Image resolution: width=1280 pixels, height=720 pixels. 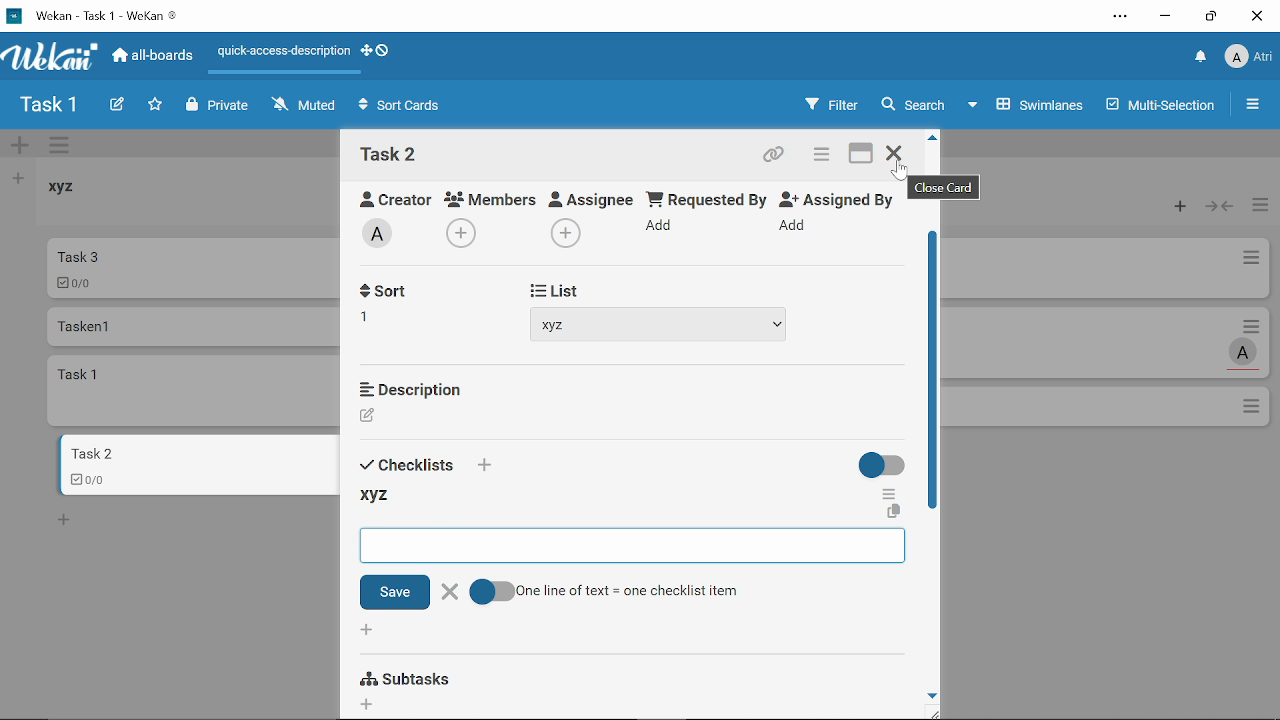 I want to click on 0/0, so click(x=199, y=480).